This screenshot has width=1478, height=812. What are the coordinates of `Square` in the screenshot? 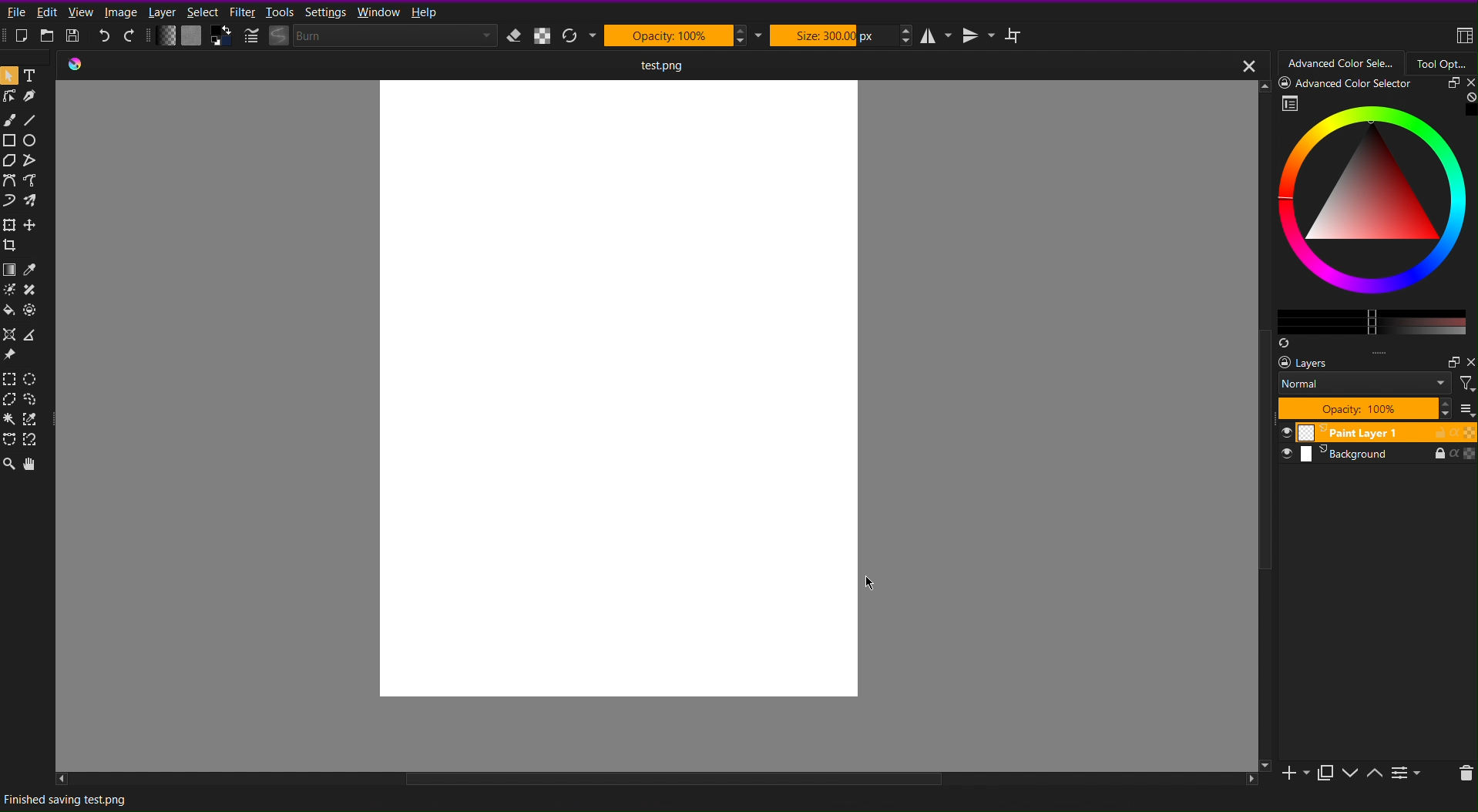 It's located at (11, 140).